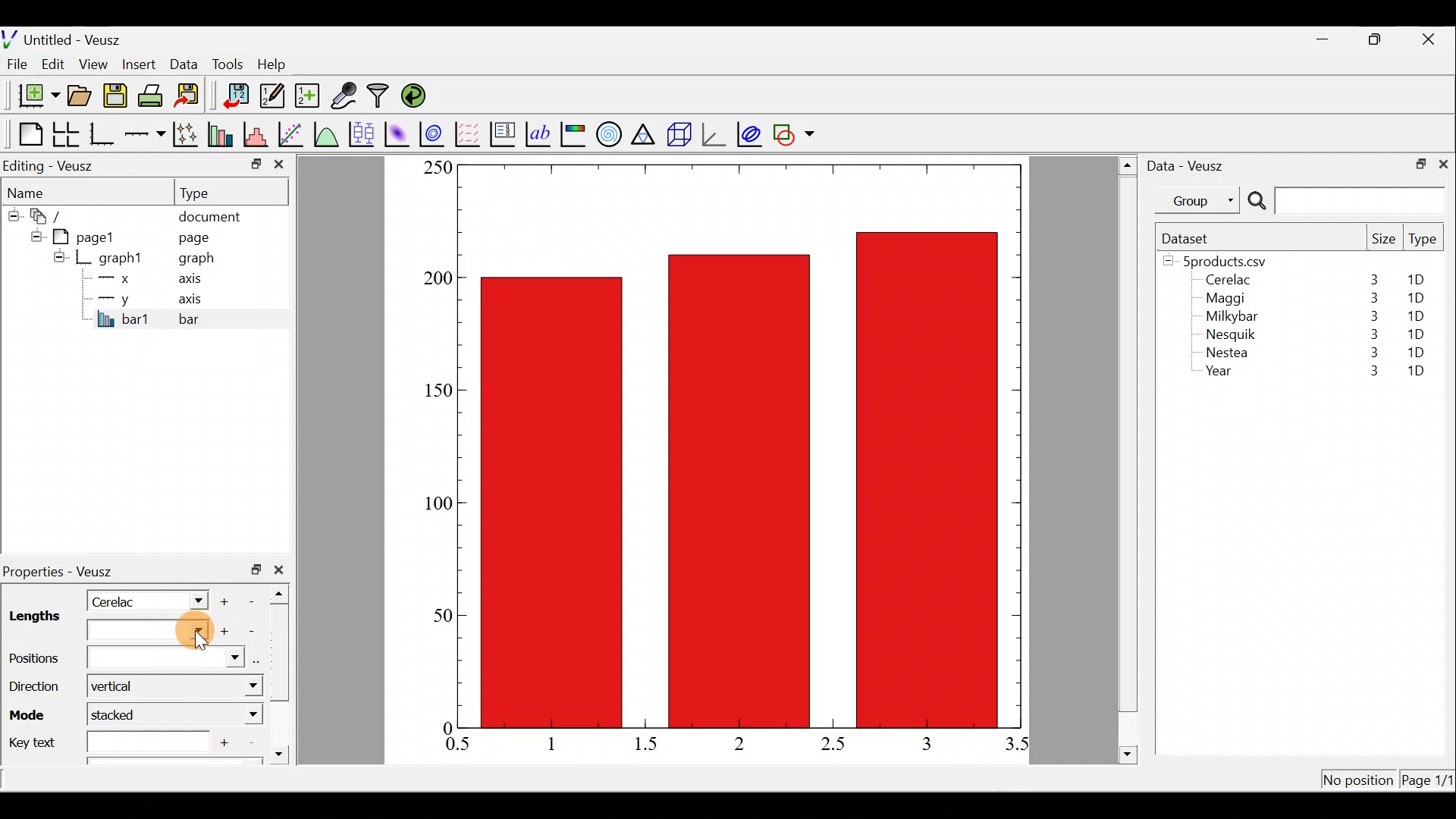 This screenshot has width=1456, height=819. Describe the element at coordinates (606, 132) in the screenshot. I see `Polar graph` at that location.